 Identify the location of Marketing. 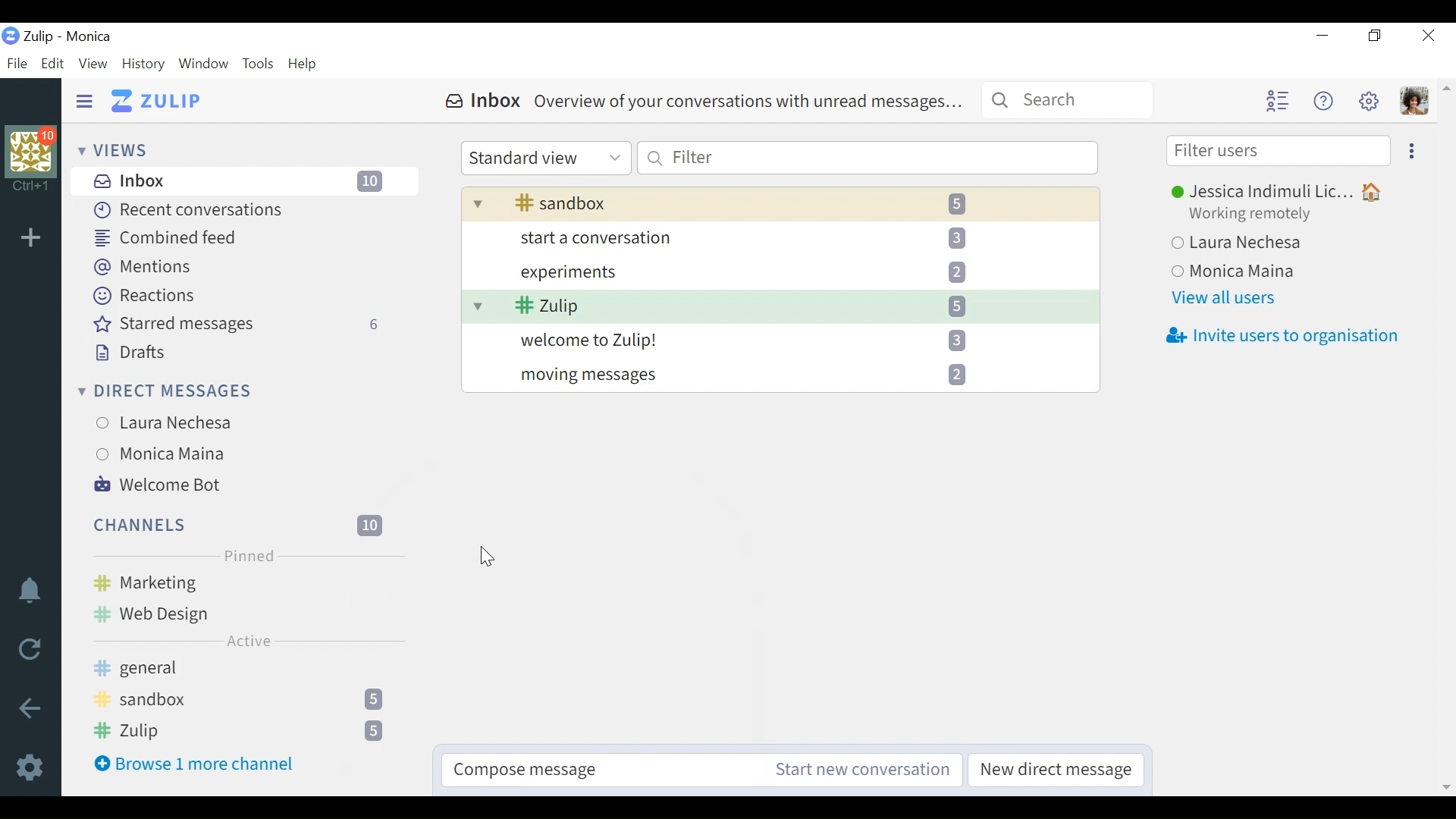
(238, 582).